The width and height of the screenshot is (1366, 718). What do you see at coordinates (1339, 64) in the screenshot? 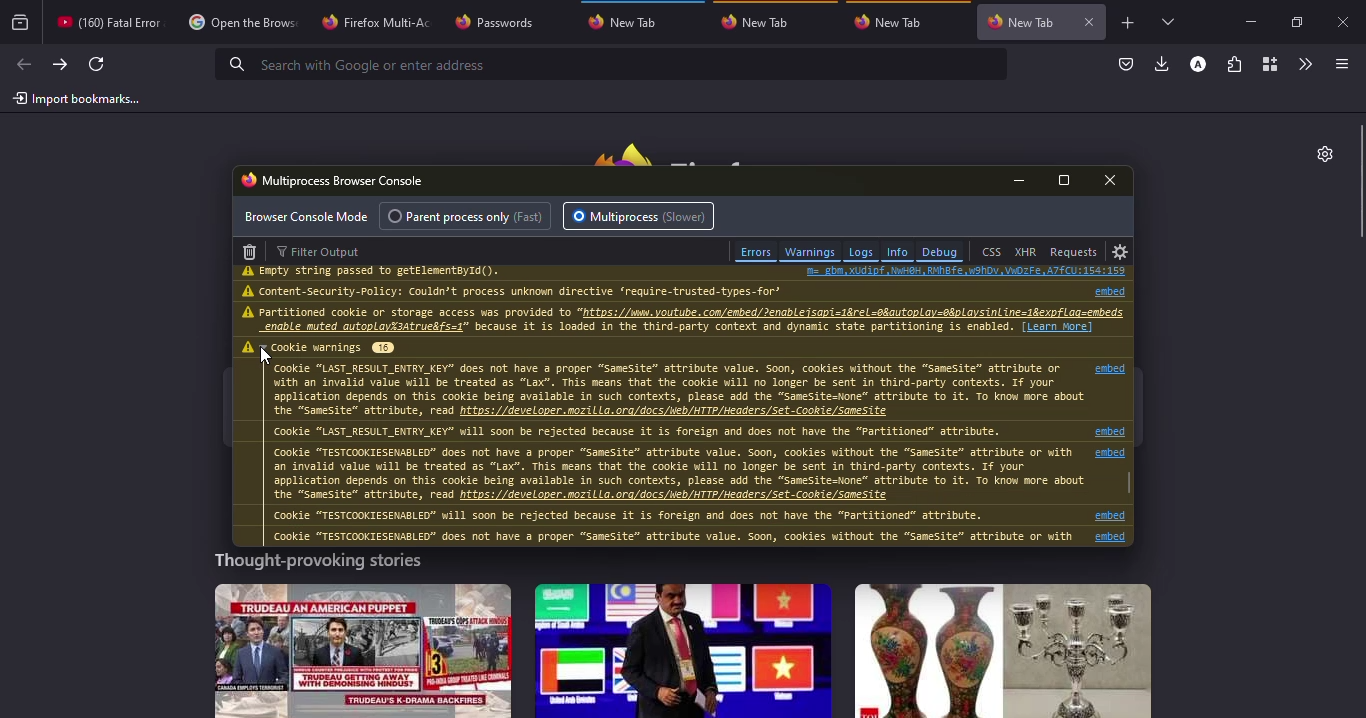
I see `options` at bounding box center [1339, 64].